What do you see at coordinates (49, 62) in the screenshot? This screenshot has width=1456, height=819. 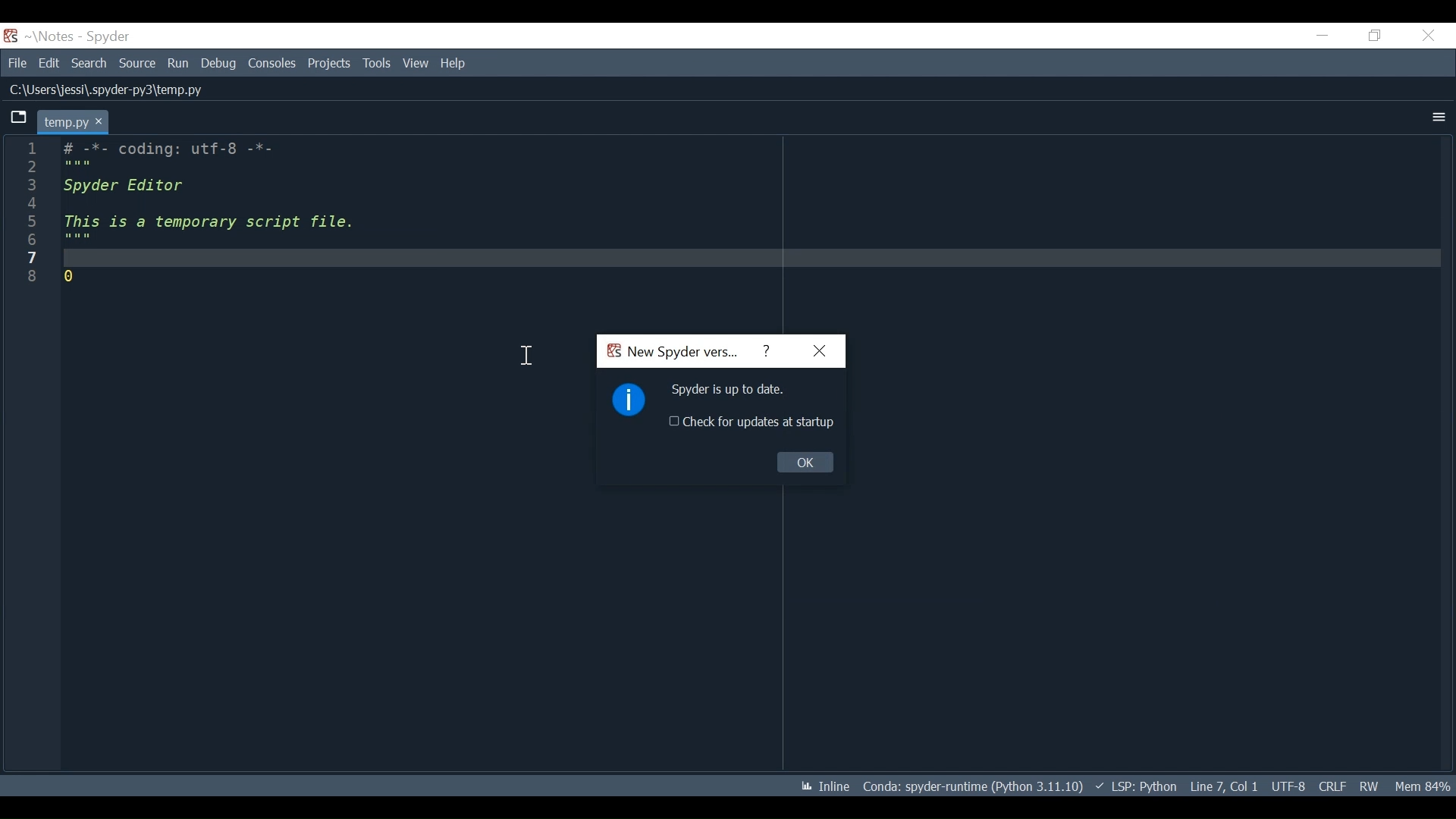 I see `Edit` at bounding box center [49, 62].